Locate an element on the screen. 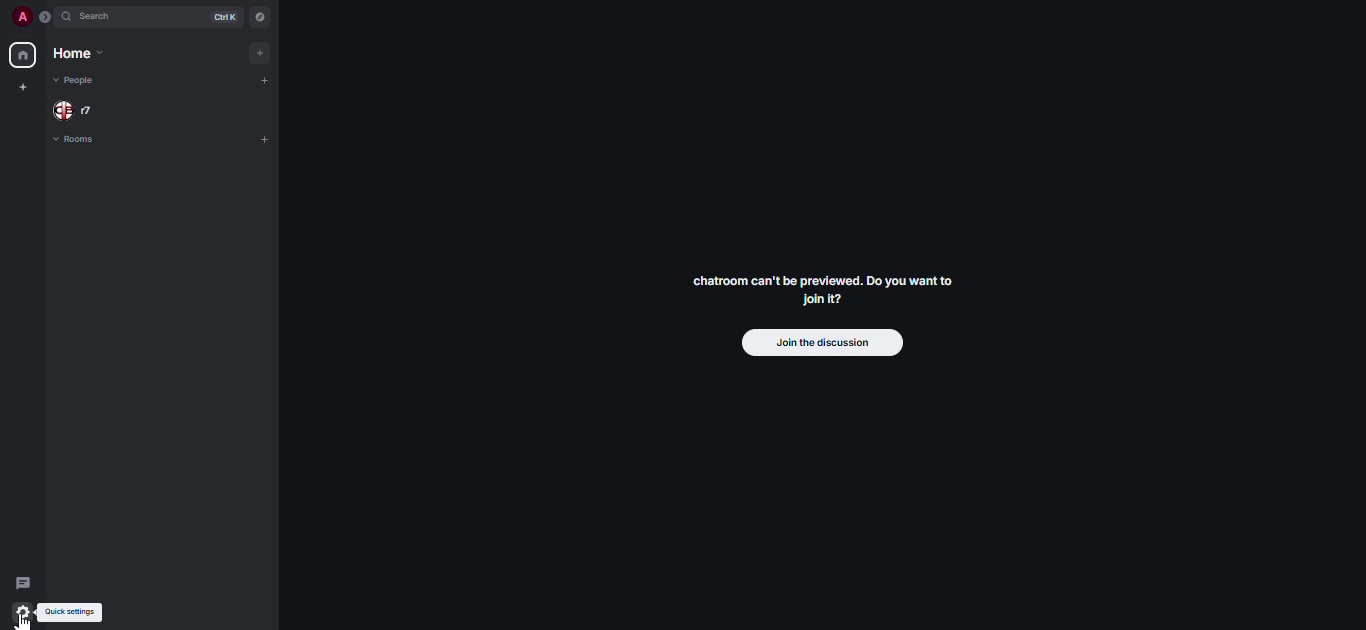  people is located at coordinates (88, 109).